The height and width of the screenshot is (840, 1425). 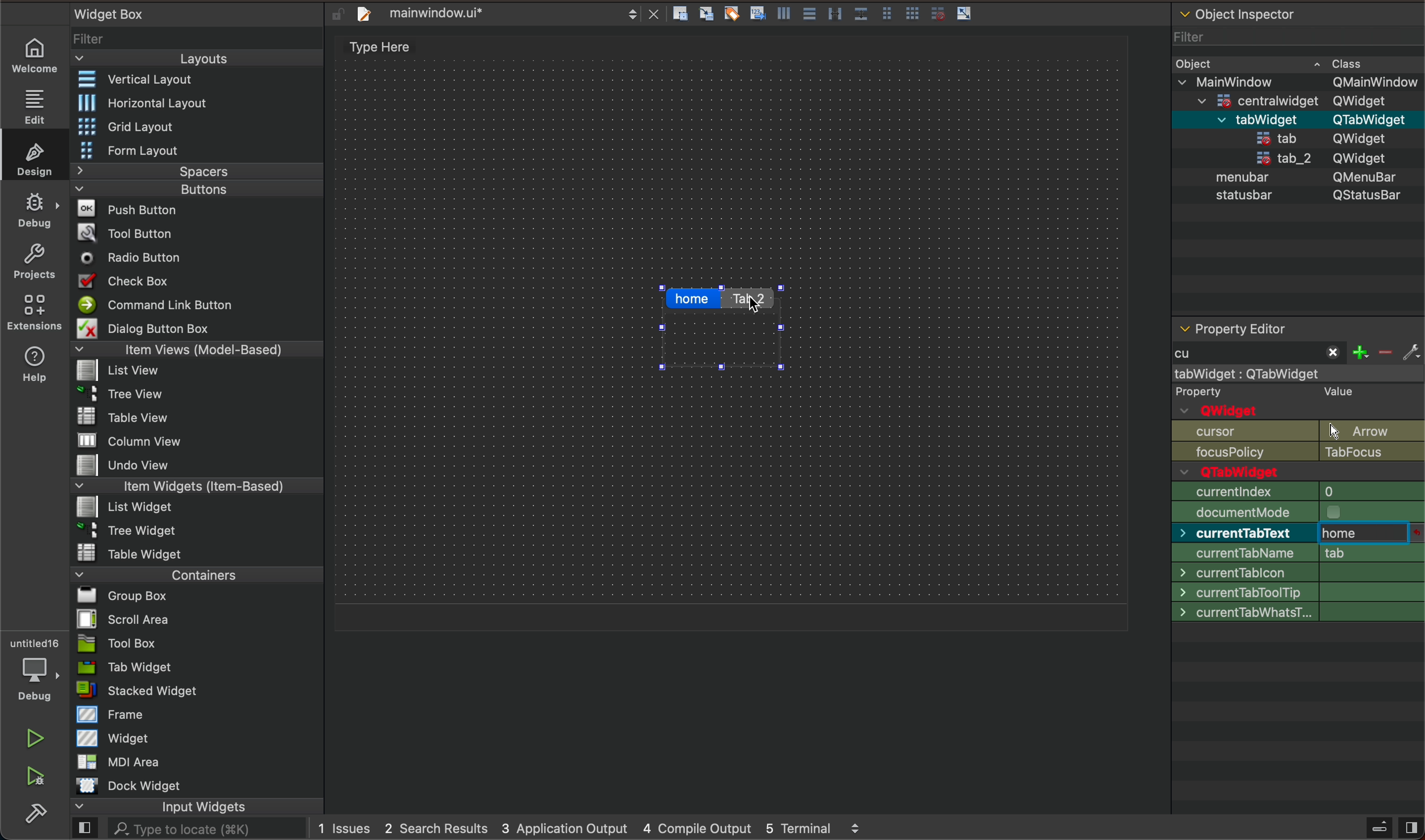 What do you see at coordinates (1258, 354) in the screenshot?
I see `typed cu` at bounding box center [1258, 354].